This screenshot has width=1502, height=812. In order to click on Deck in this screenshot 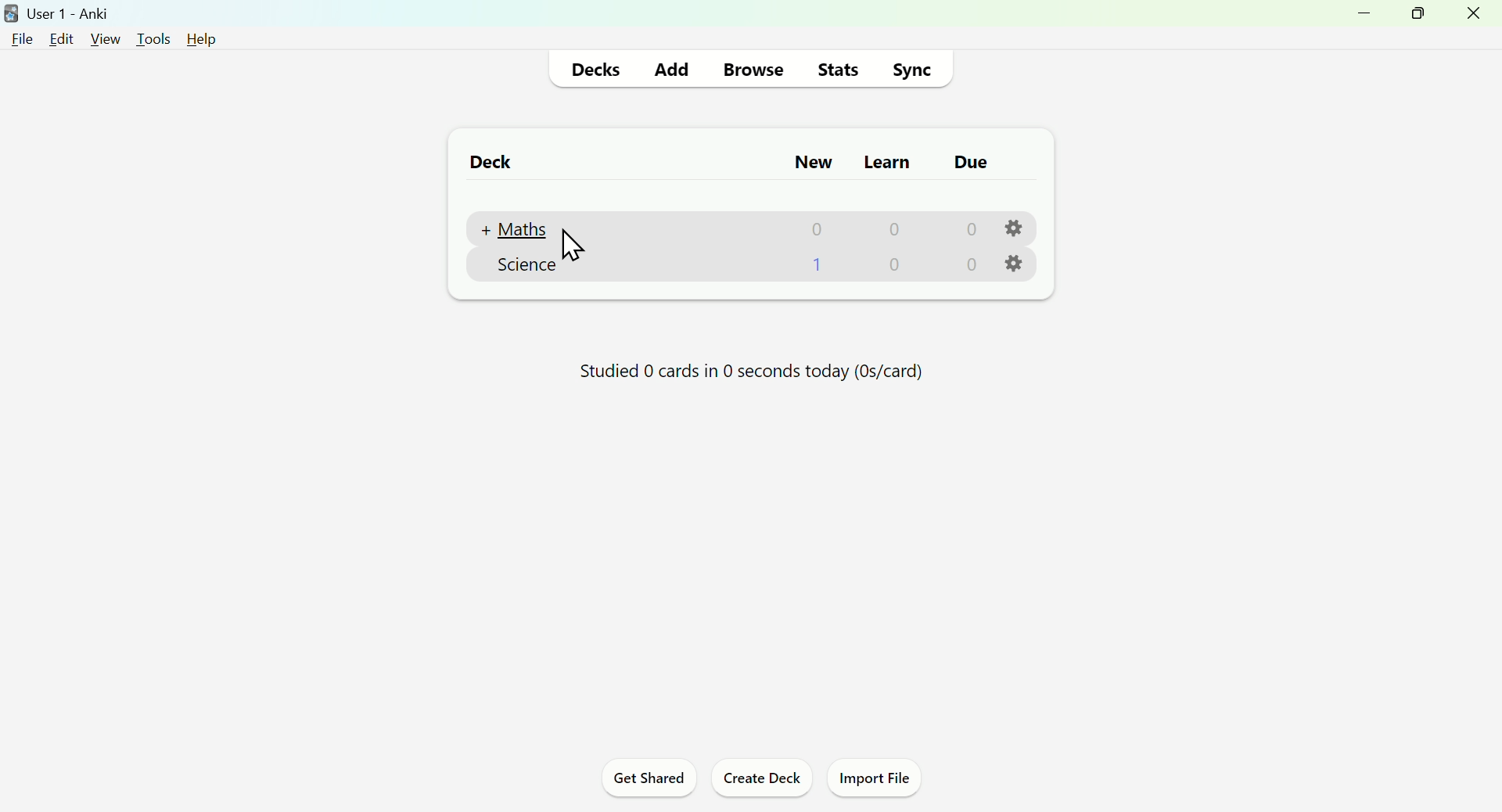, I will do `click(490, 164)`.